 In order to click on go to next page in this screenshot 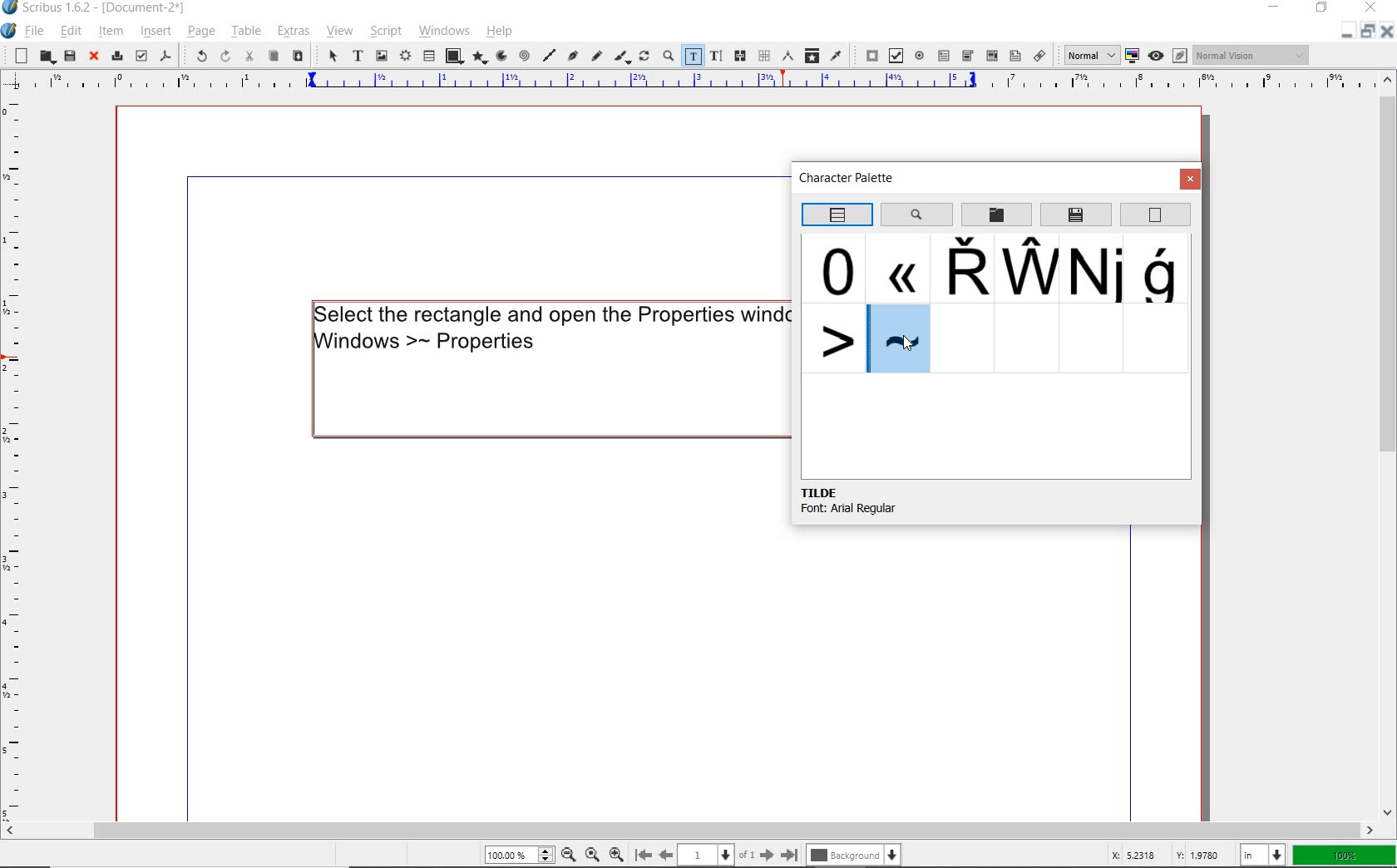, I will do `click(767, 854)`.